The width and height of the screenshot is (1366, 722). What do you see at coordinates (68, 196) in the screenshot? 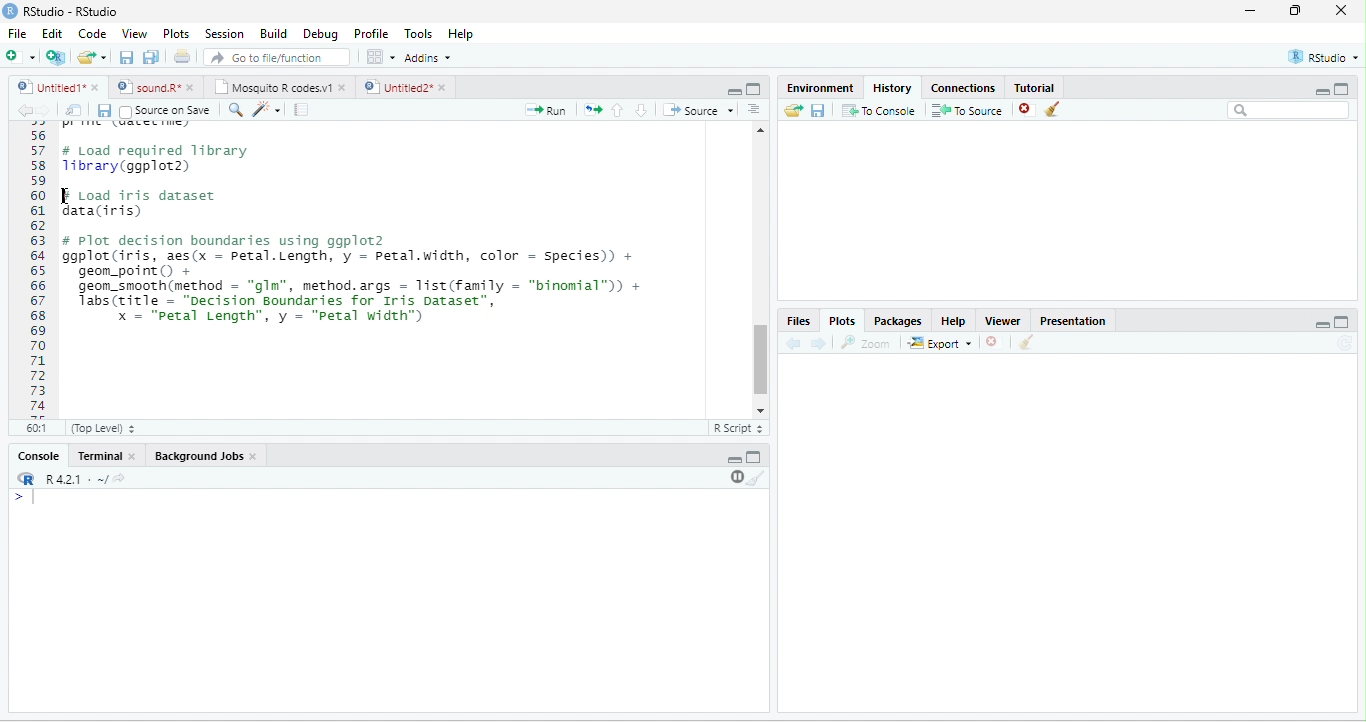
I see `cursor` at bounding box center [68, 196].